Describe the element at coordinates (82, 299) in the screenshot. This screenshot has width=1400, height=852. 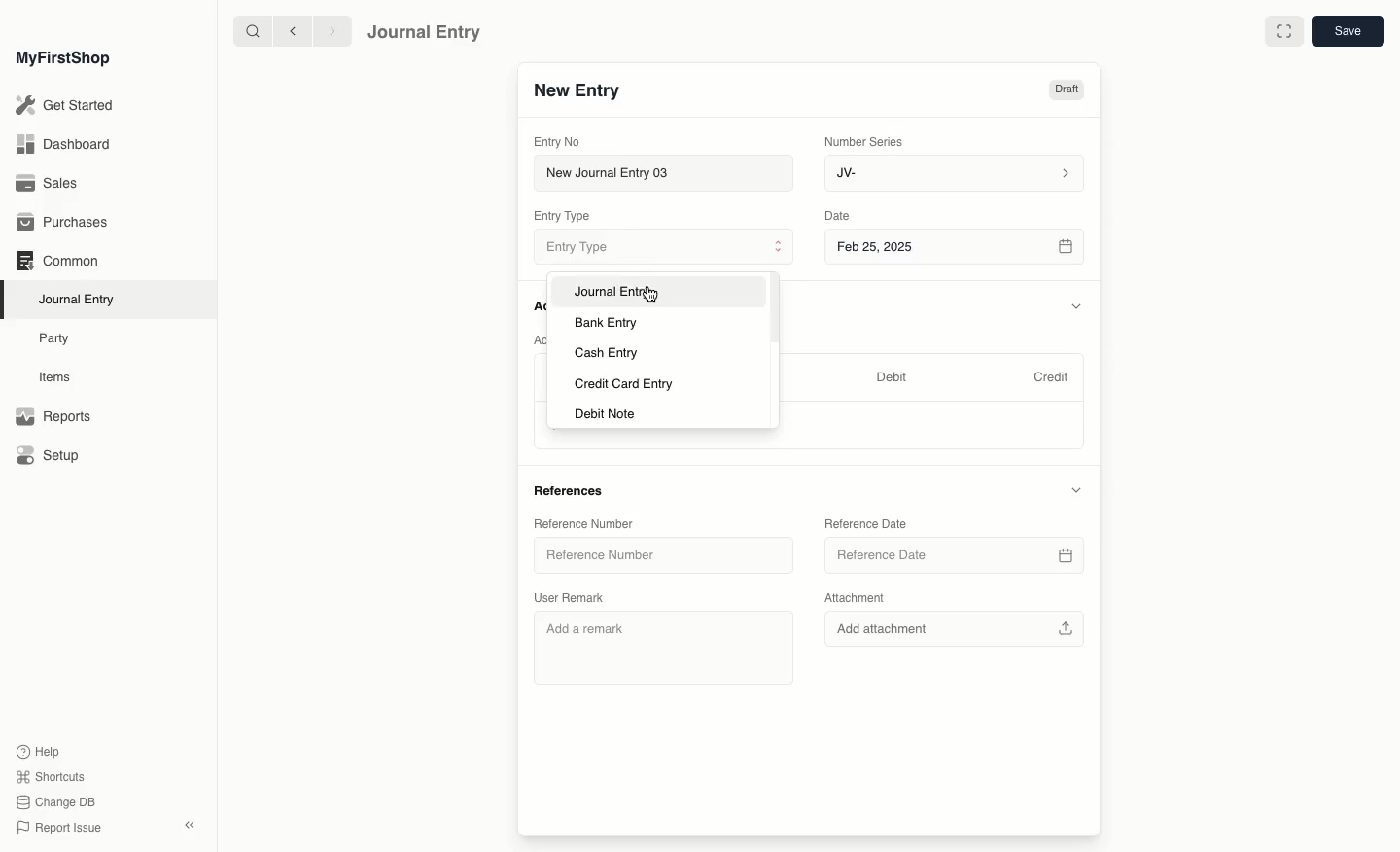
I see `Journal Entry` at that location.